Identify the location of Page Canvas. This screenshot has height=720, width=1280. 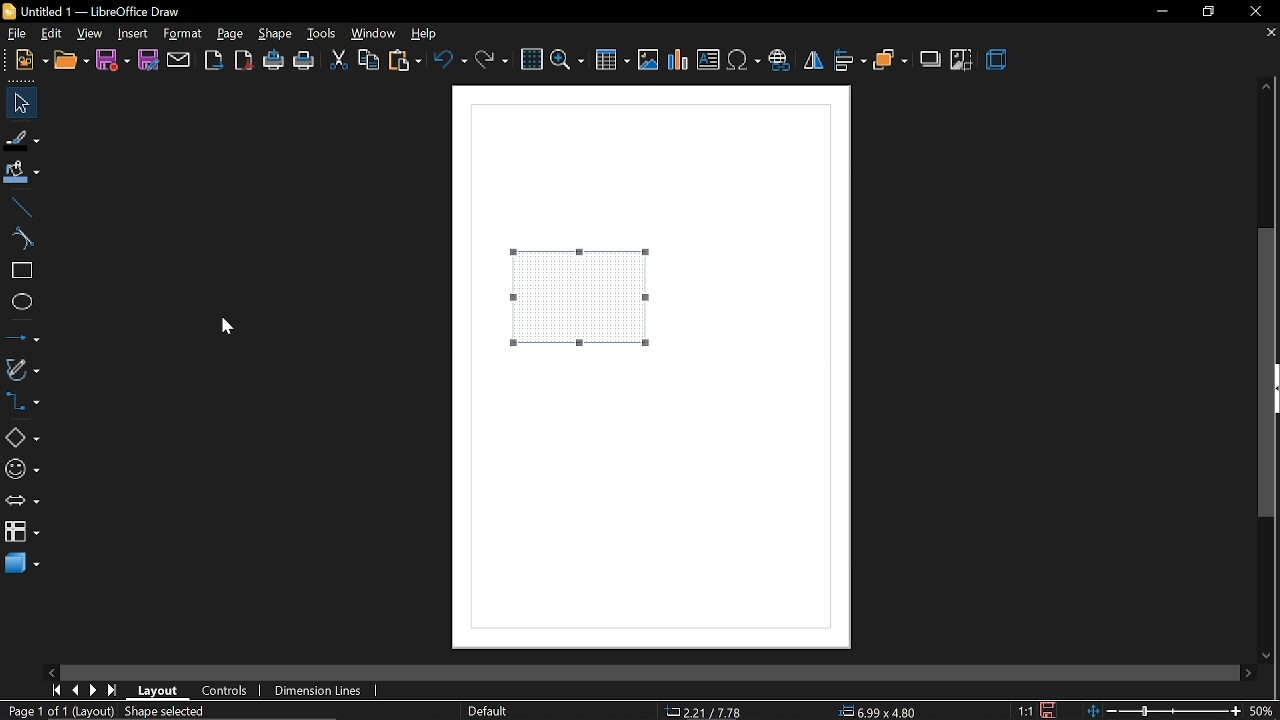
(653, 162).